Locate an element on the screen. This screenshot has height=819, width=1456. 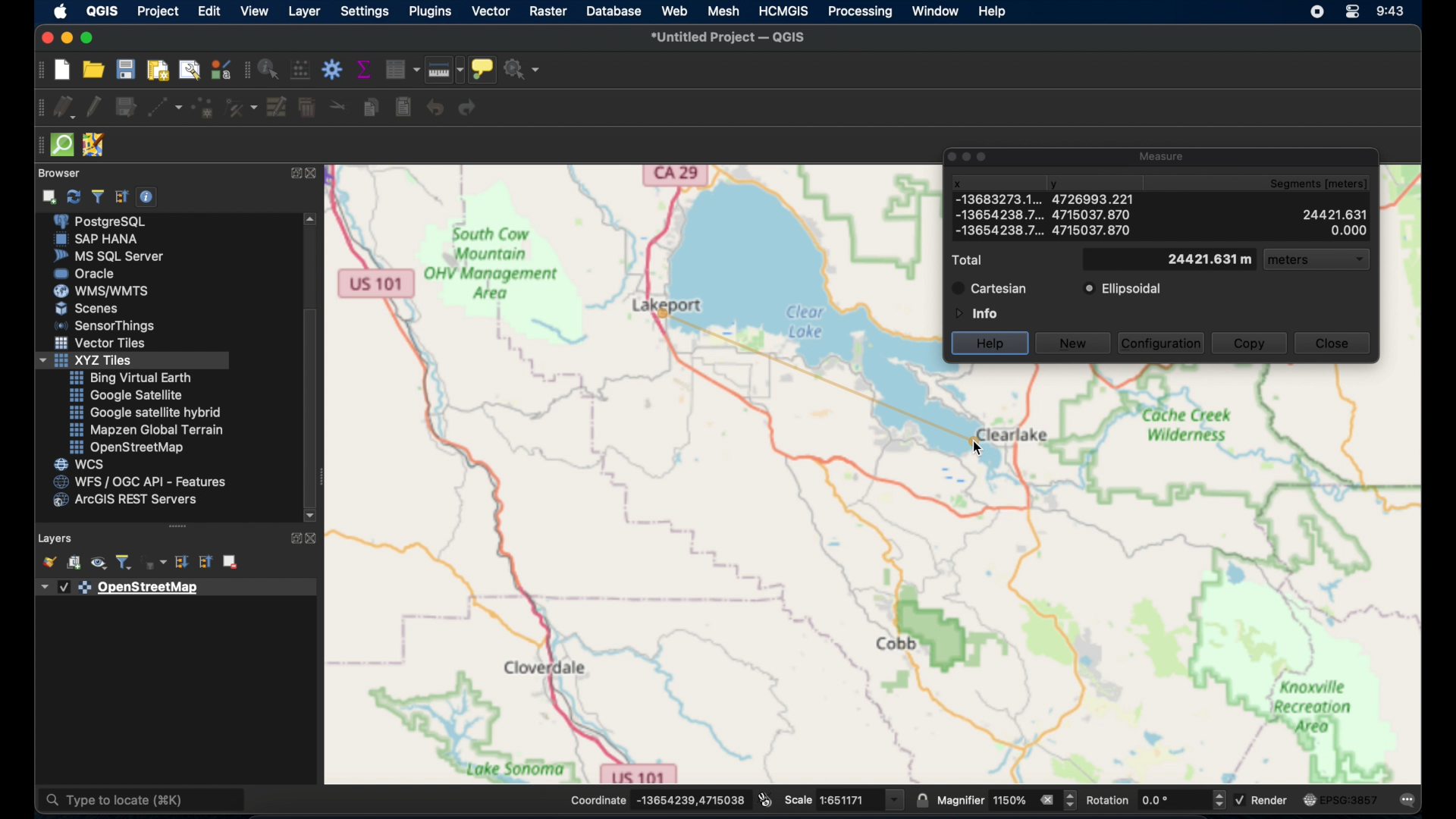
coordinate is located at coordinates (657, 799).